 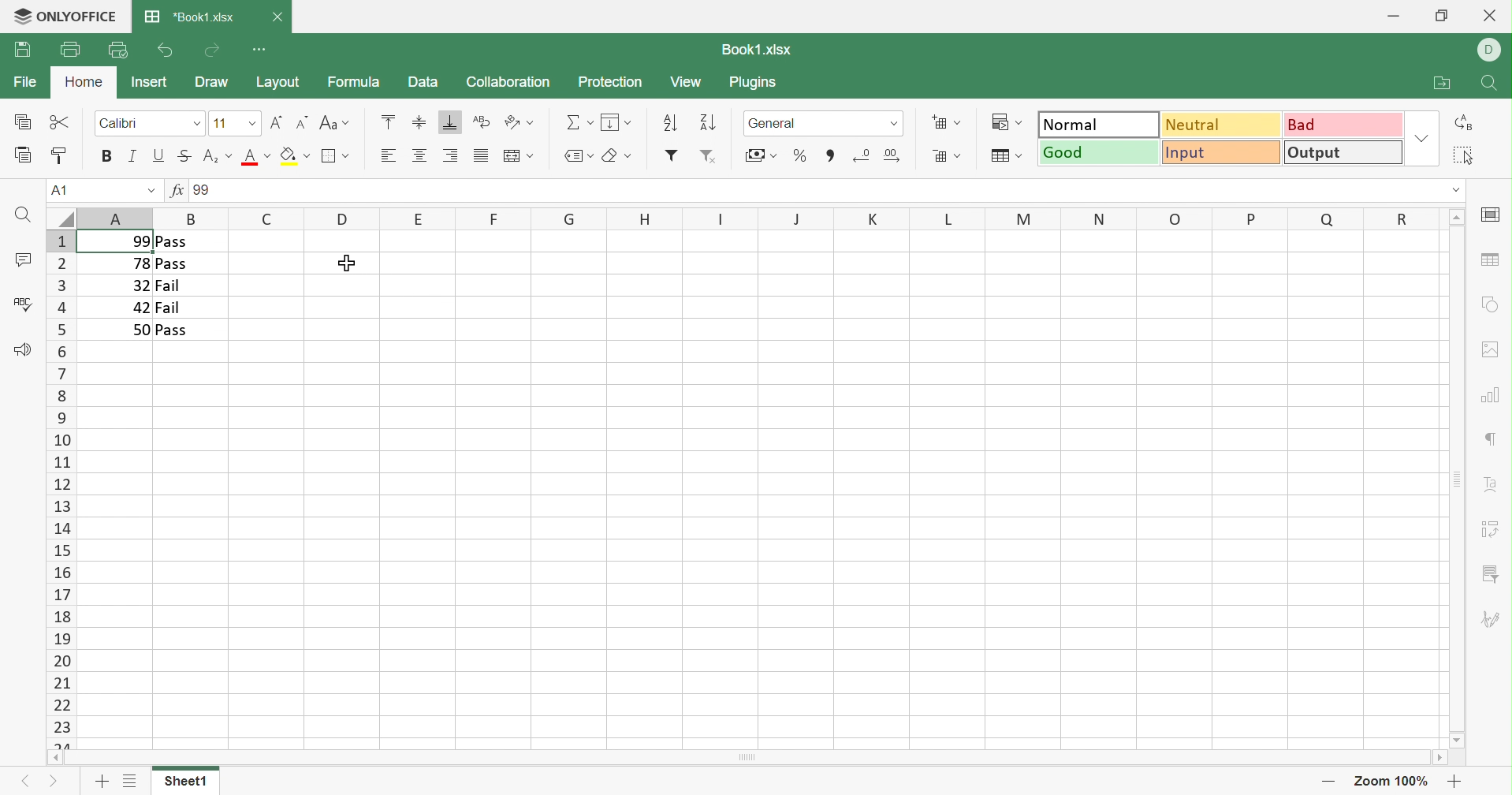 What do you see at coordinates (352, 81) in the screenshot?
I see `Formula` at bounding box center [352, 81].